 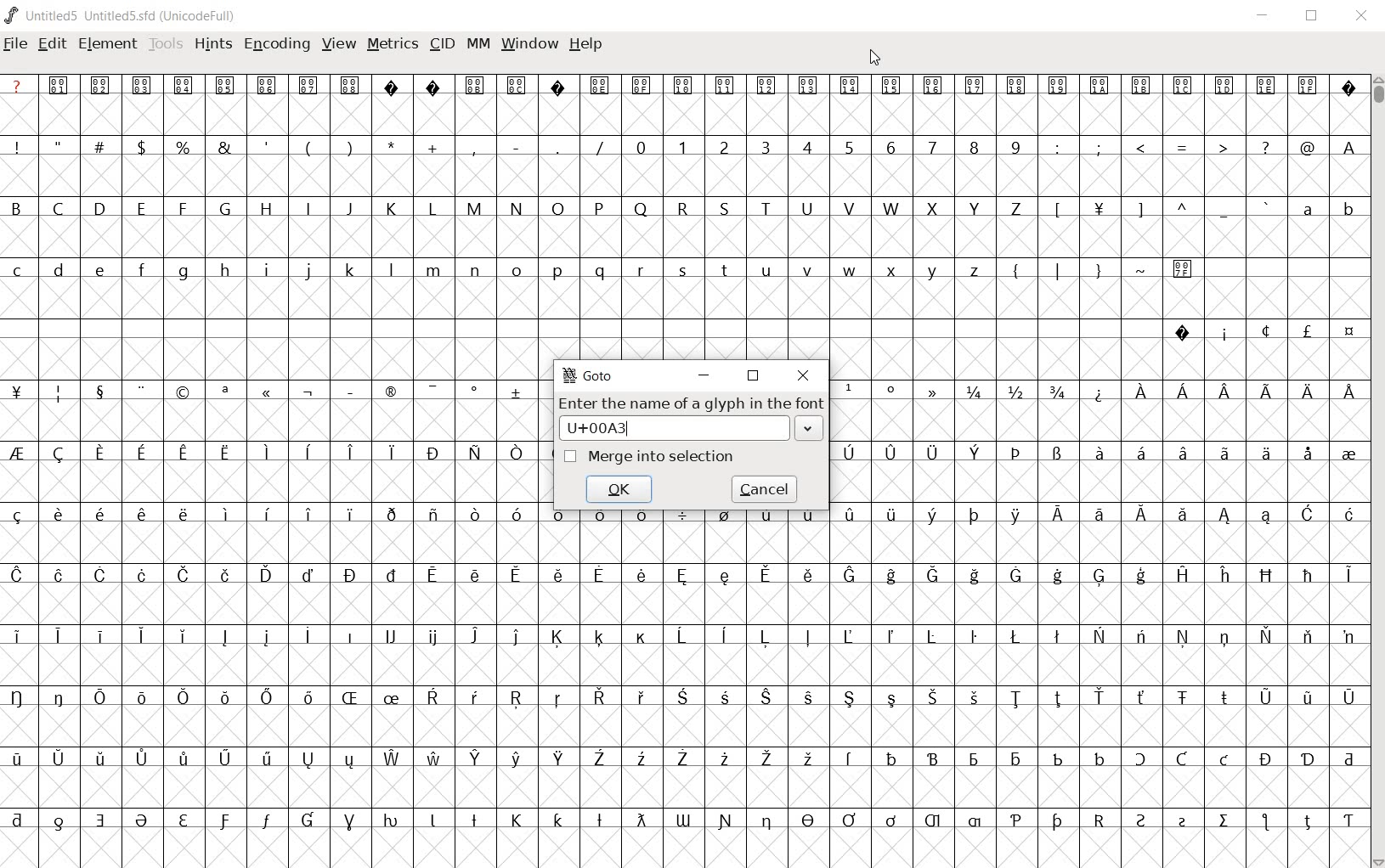 I want to click on Symbol, so click(x=935, y=822).